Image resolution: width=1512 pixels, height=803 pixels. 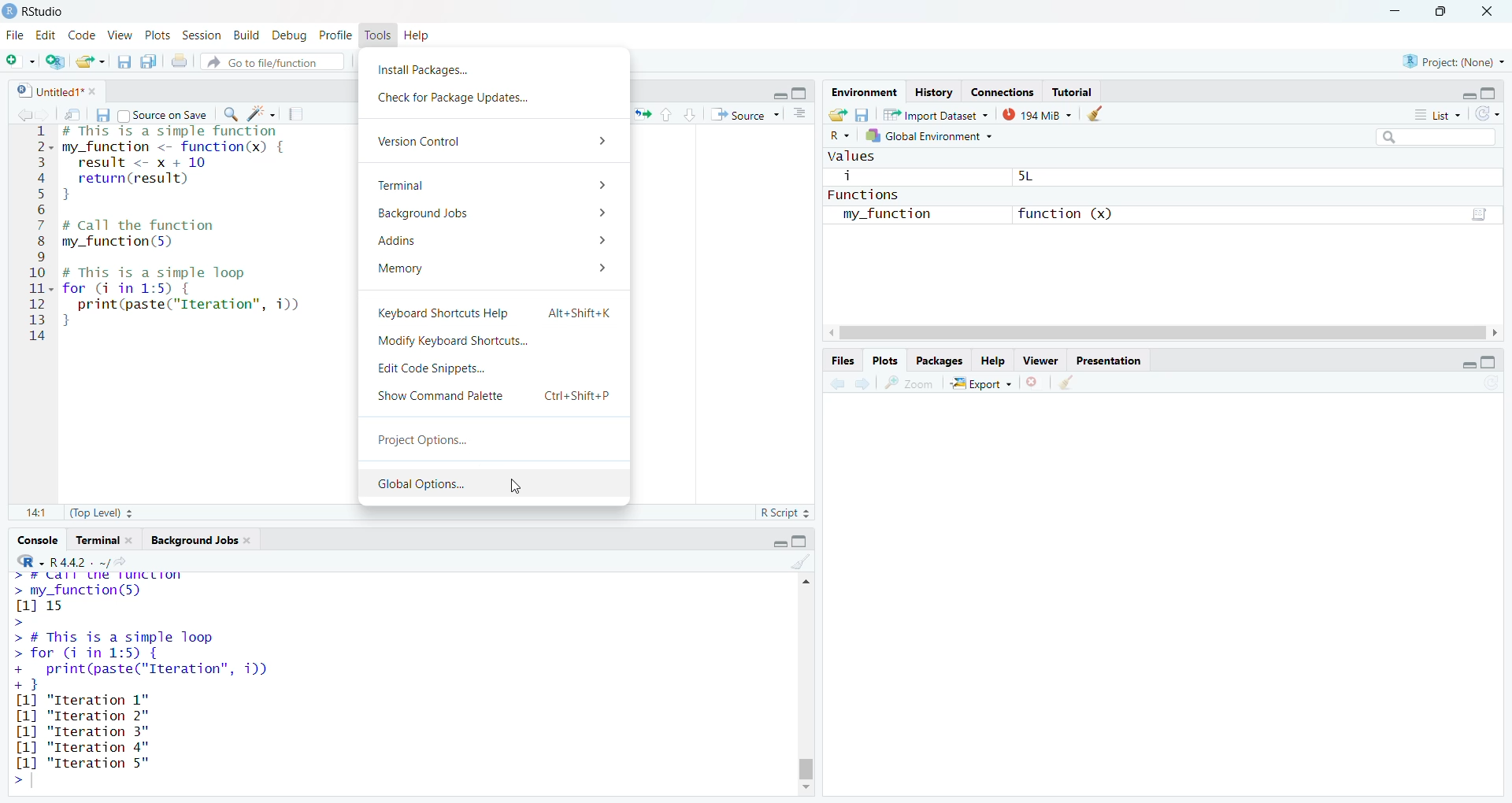 What do you see at coordinates (428, 441) in the screenshot?
I see `Project Options...` at bounding box center [428, 441].